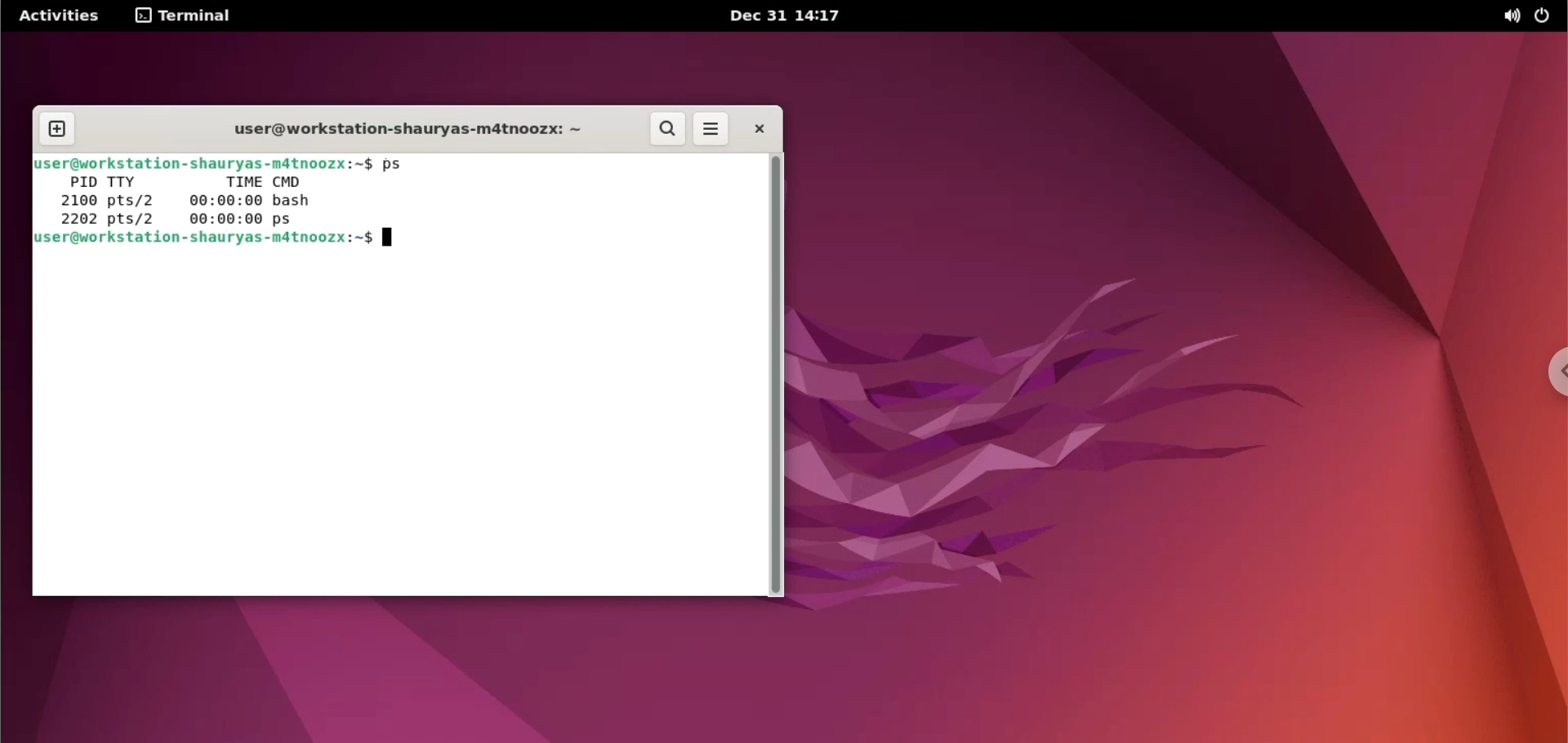  What do you see at coordinates (1511, 18) in the screenshot?
I see `sound options` at bounding box center [1511, 18].